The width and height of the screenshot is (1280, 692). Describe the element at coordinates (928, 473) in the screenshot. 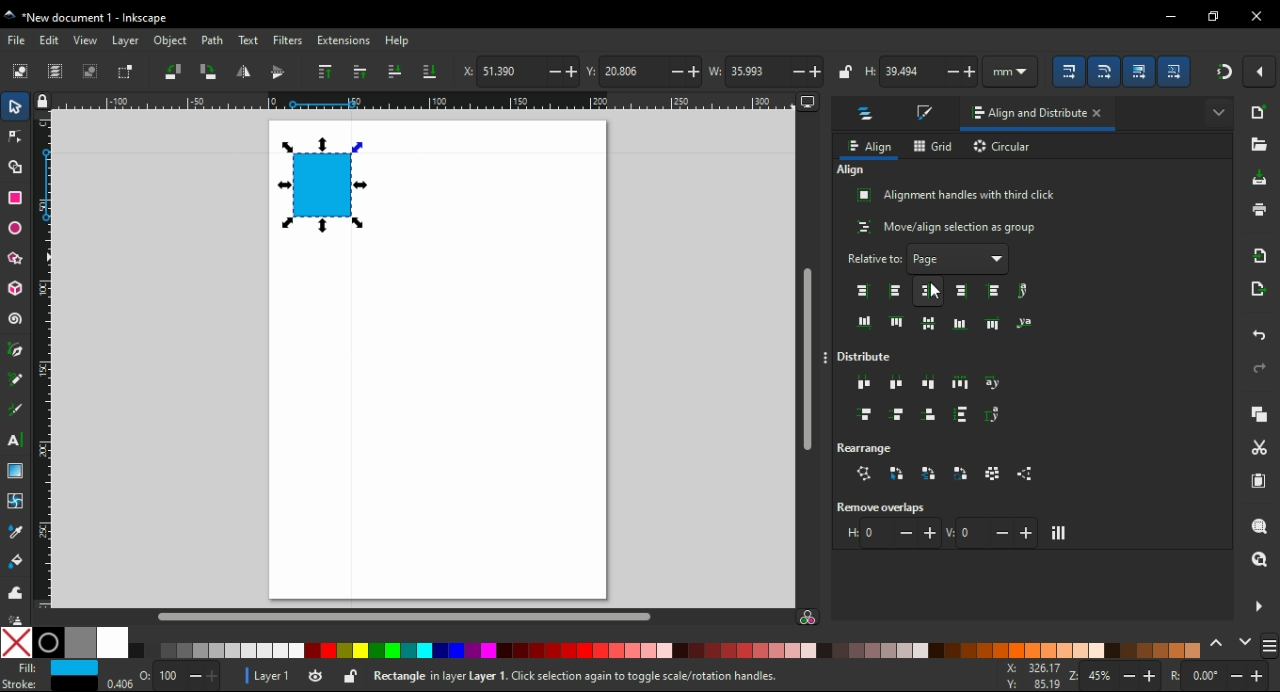

I see `change positions of selected objects - stacking order` at that location.